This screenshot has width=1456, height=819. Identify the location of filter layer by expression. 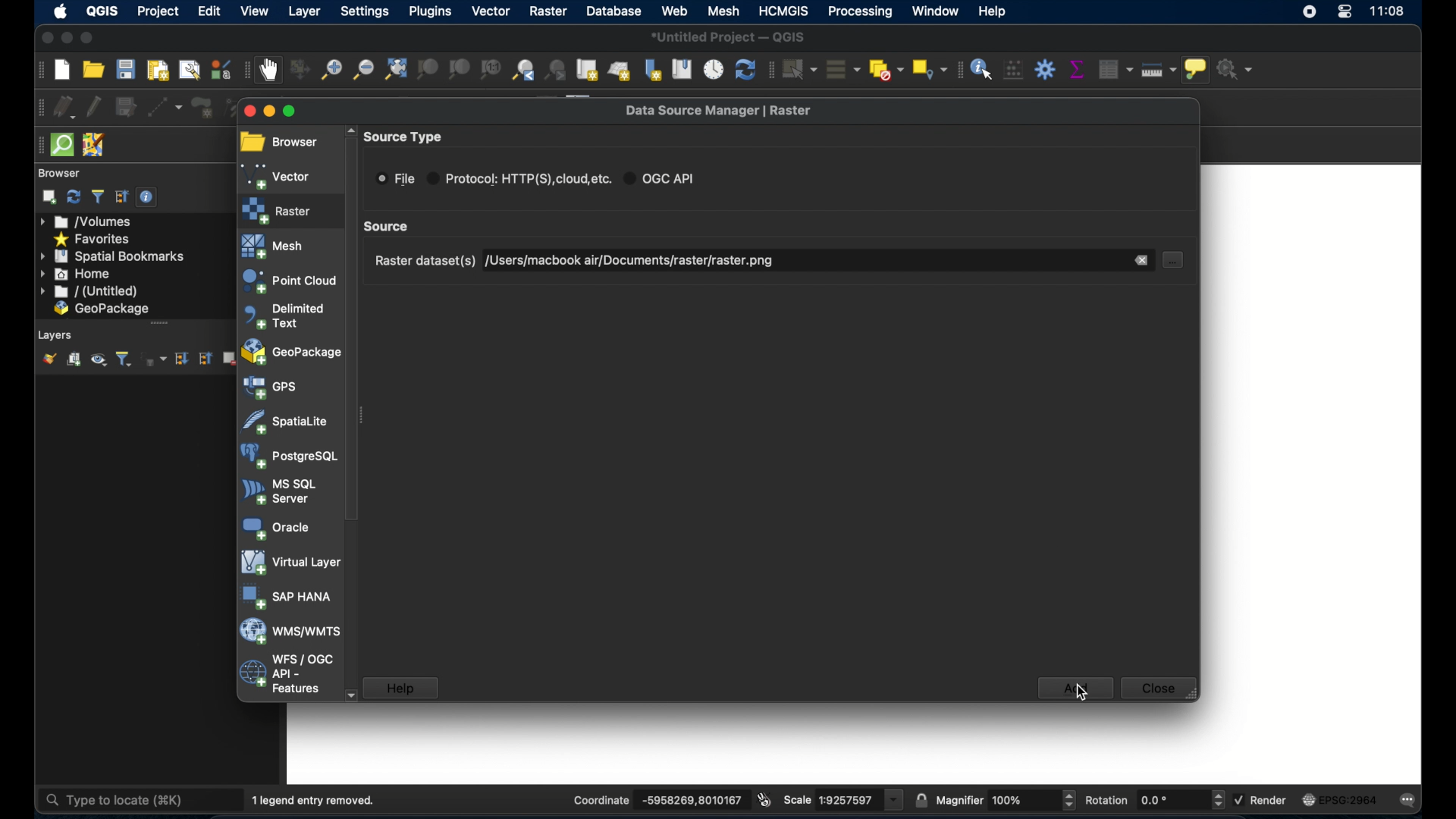
(154, 359).